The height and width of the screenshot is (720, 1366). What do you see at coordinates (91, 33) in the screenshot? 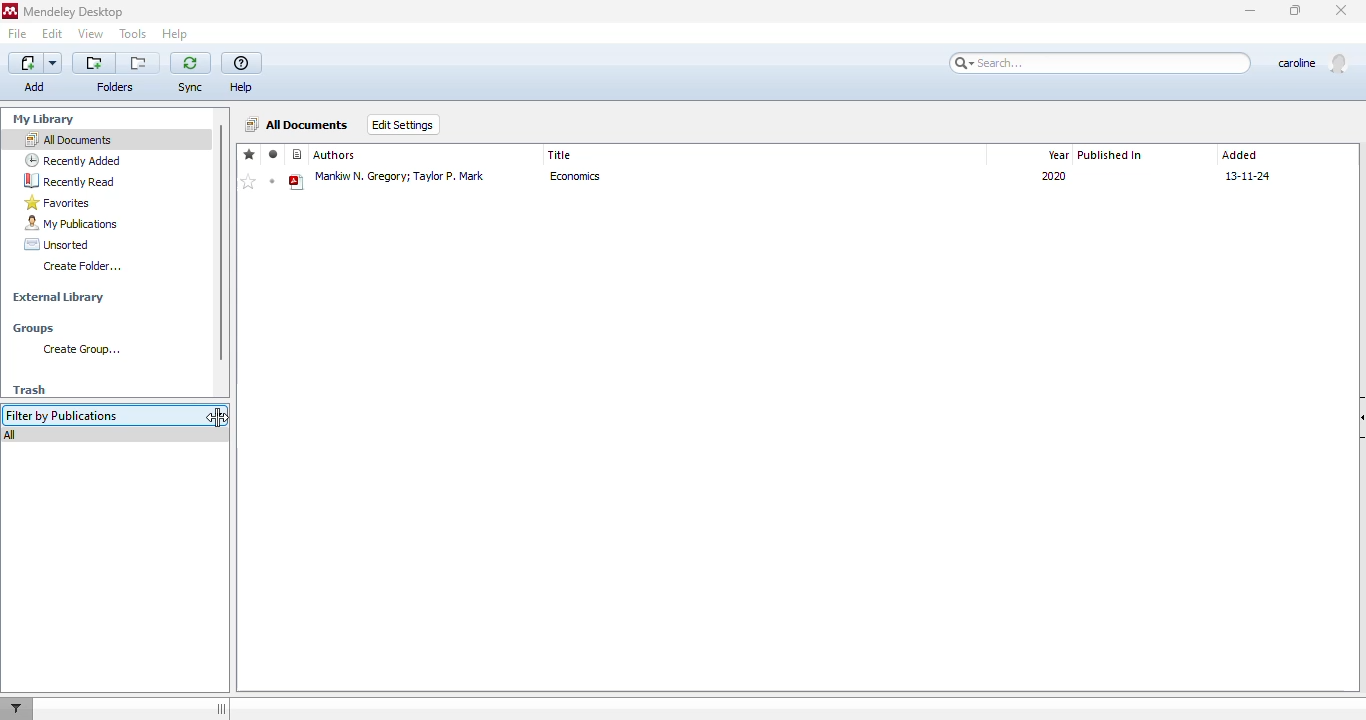
I see `view` at bounding box center [91, 33].